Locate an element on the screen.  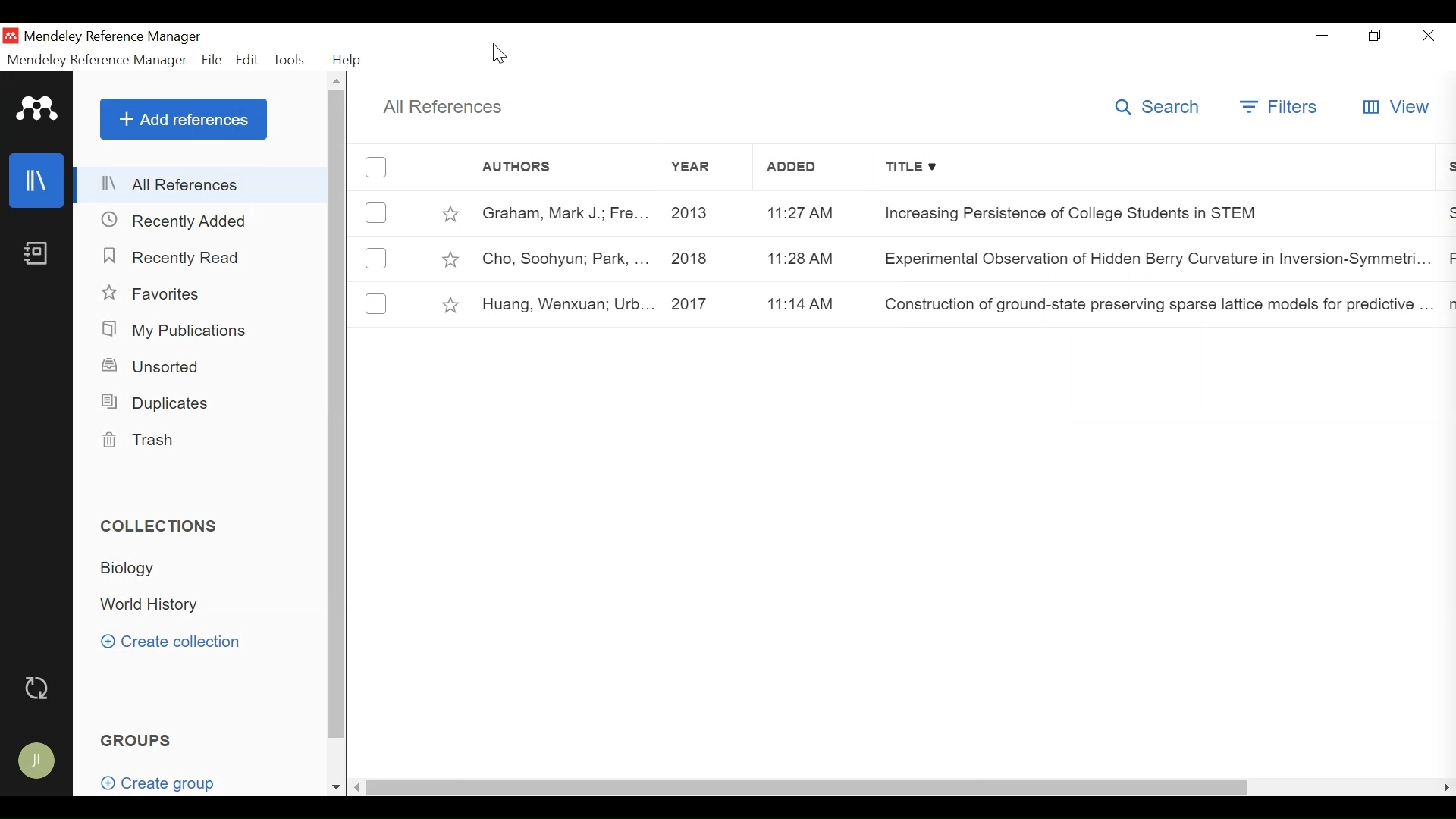
Experimental Observation of Hidden Berry Curvature in Inversion-Symmetri is located at coordinates (1155, 260).